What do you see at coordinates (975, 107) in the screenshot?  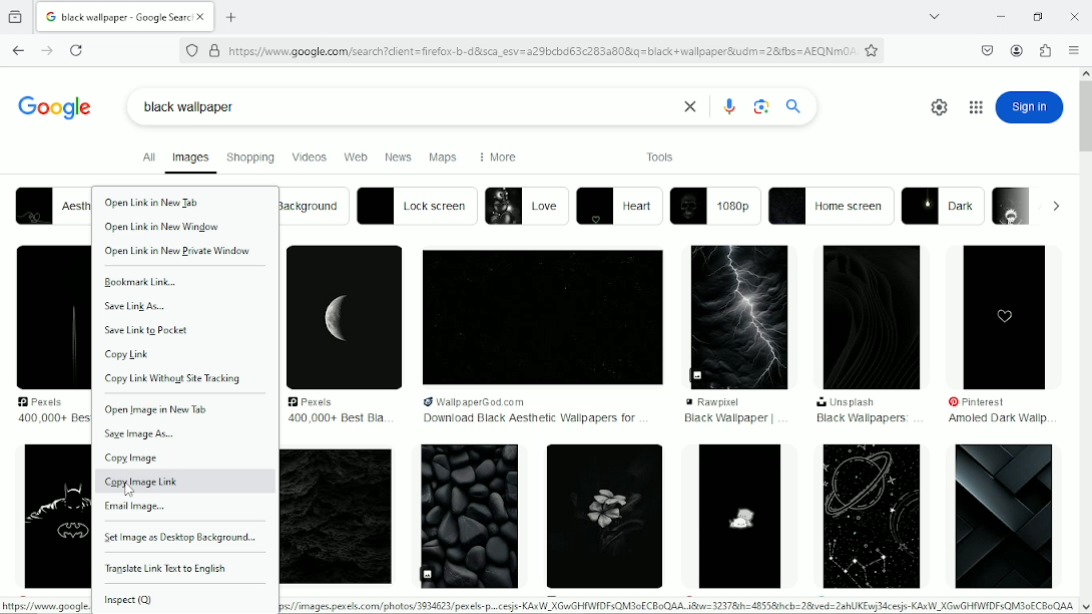 I see `google apps` at bounding box center [975, 107].